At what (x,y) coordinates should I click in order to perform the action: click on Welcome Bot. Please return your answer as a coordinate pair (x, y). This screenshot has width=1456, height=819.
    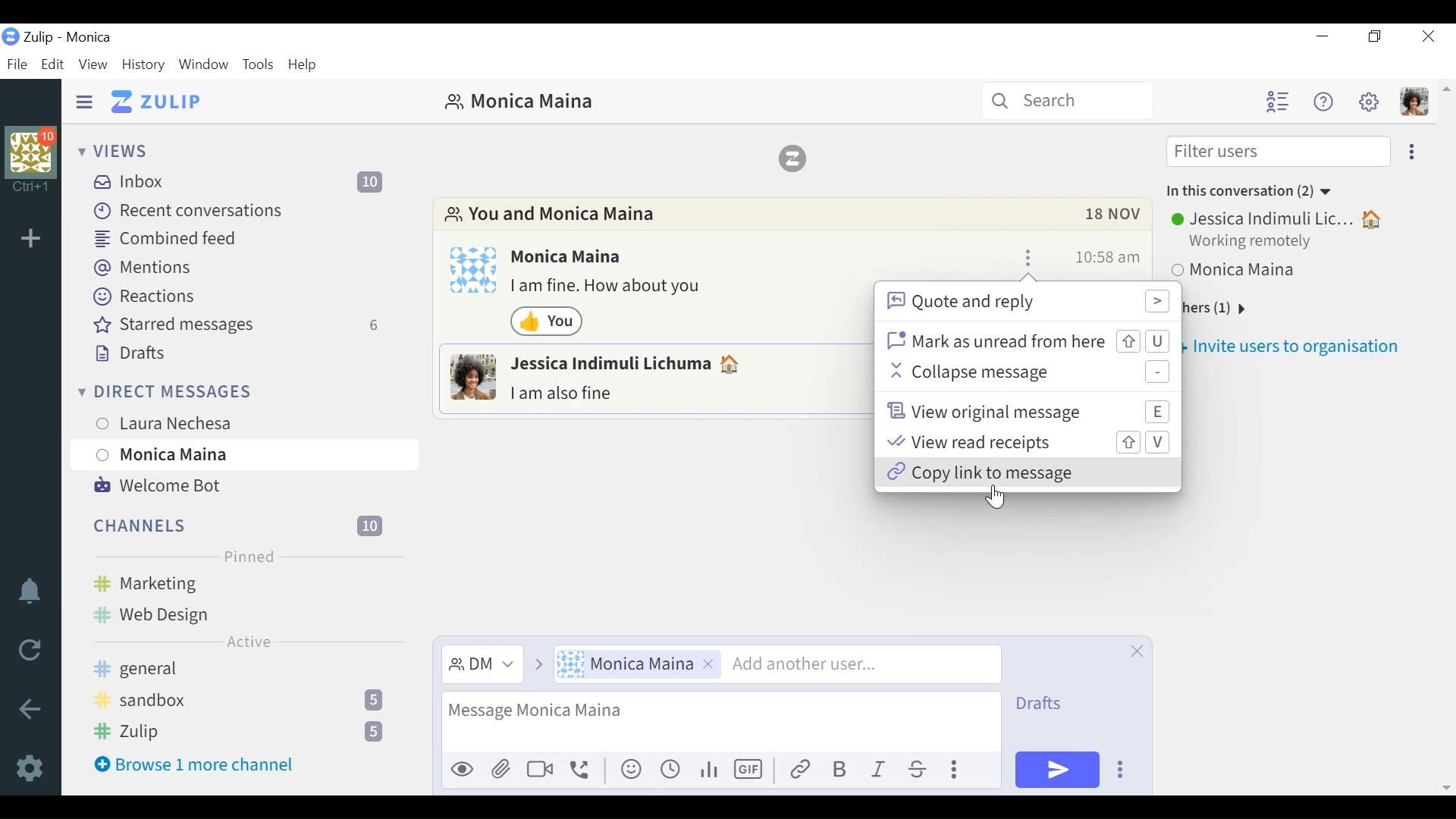
    Looking at the image, I should click on (156, 486).